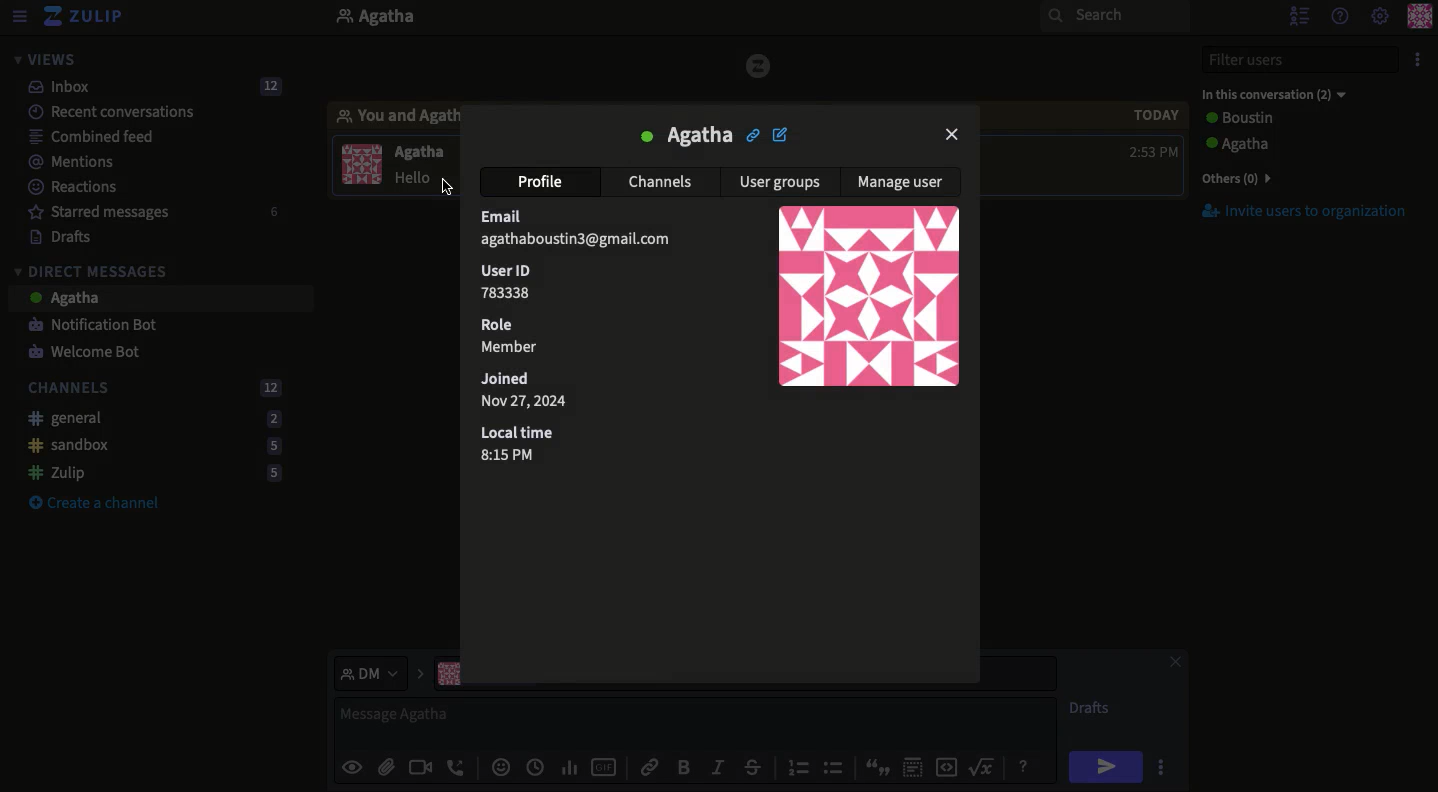 The width and height of the screenshot is (1438, 792). What do you see at coordinates (20, 18) in the screenshot?
I see `Menu` at bounding box center [20, 18].